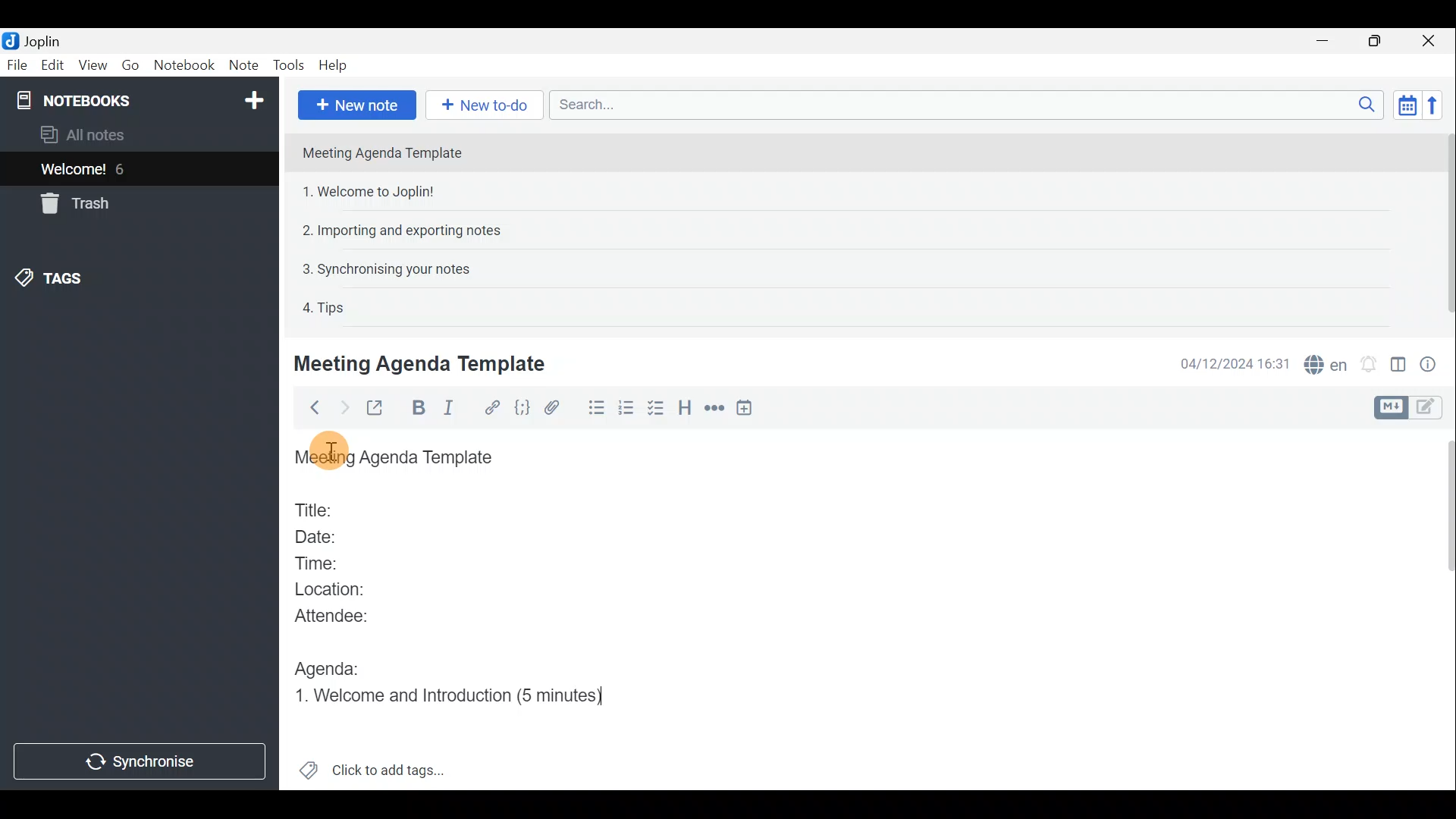  I want to click on Bold, so click(416, 408).